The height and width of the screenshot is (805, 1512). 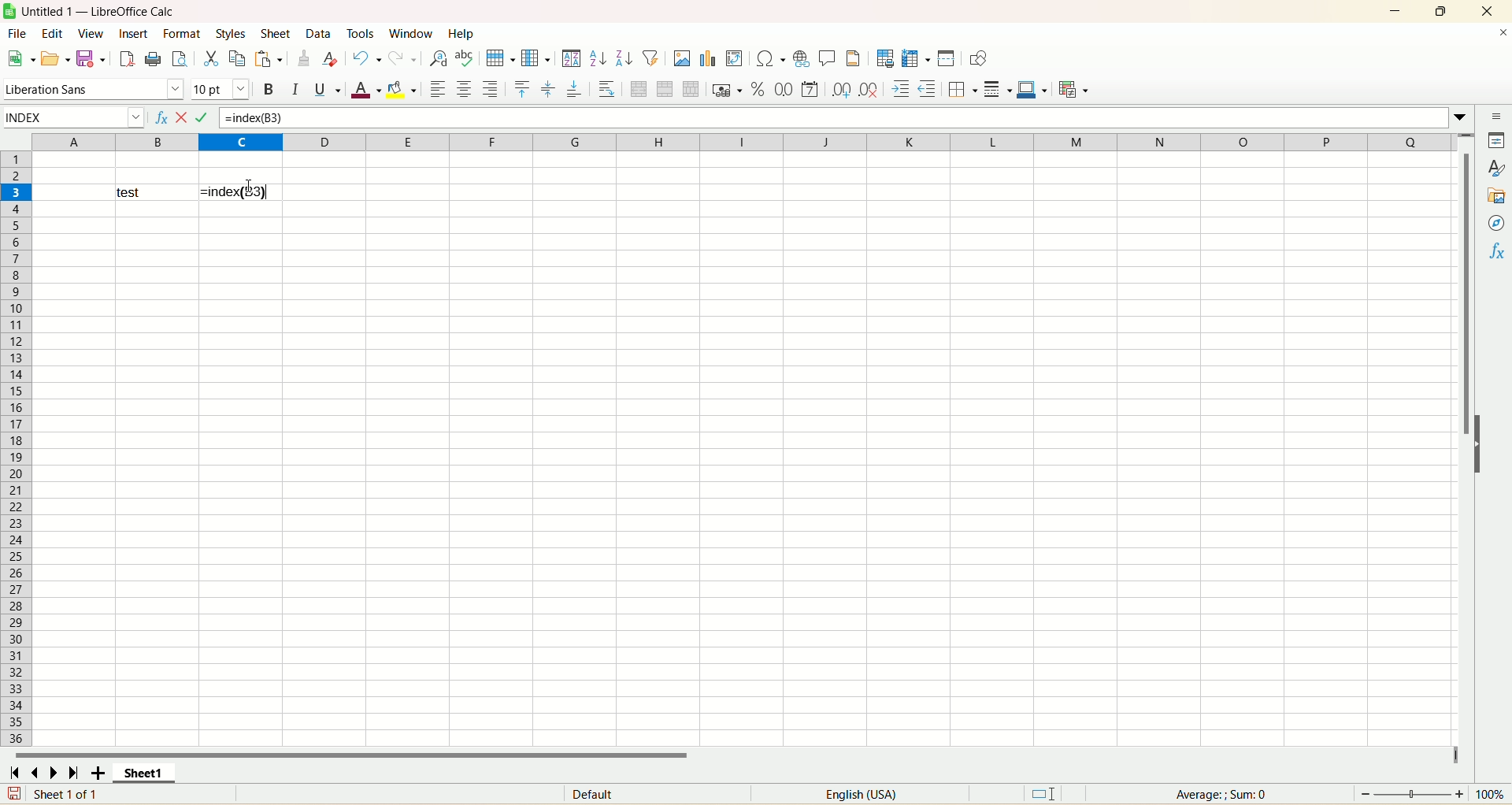 I want to click on Cursor, so click(x=249, y=186).